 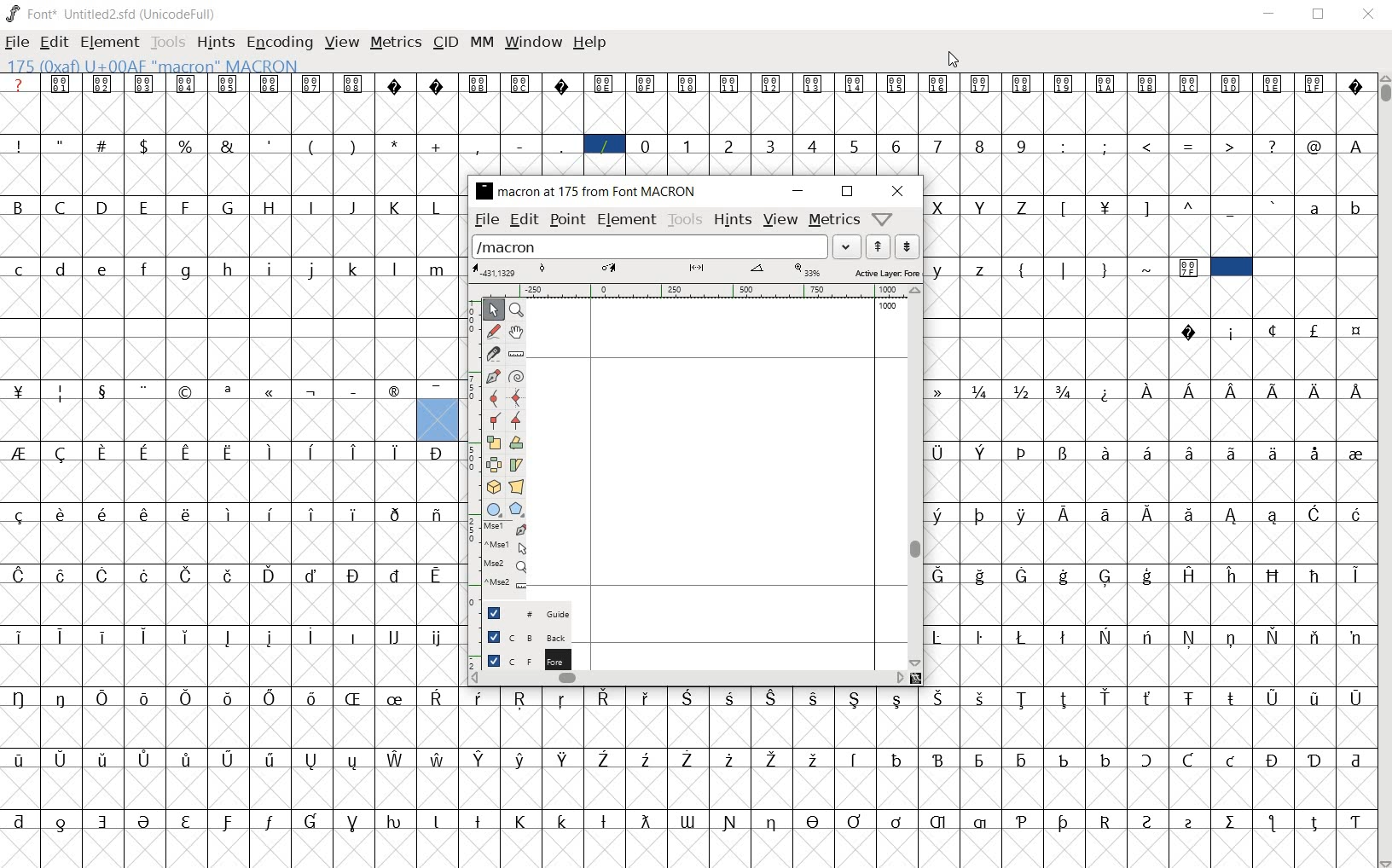 I want to click on Symbol, so click(x=1191, y=391).